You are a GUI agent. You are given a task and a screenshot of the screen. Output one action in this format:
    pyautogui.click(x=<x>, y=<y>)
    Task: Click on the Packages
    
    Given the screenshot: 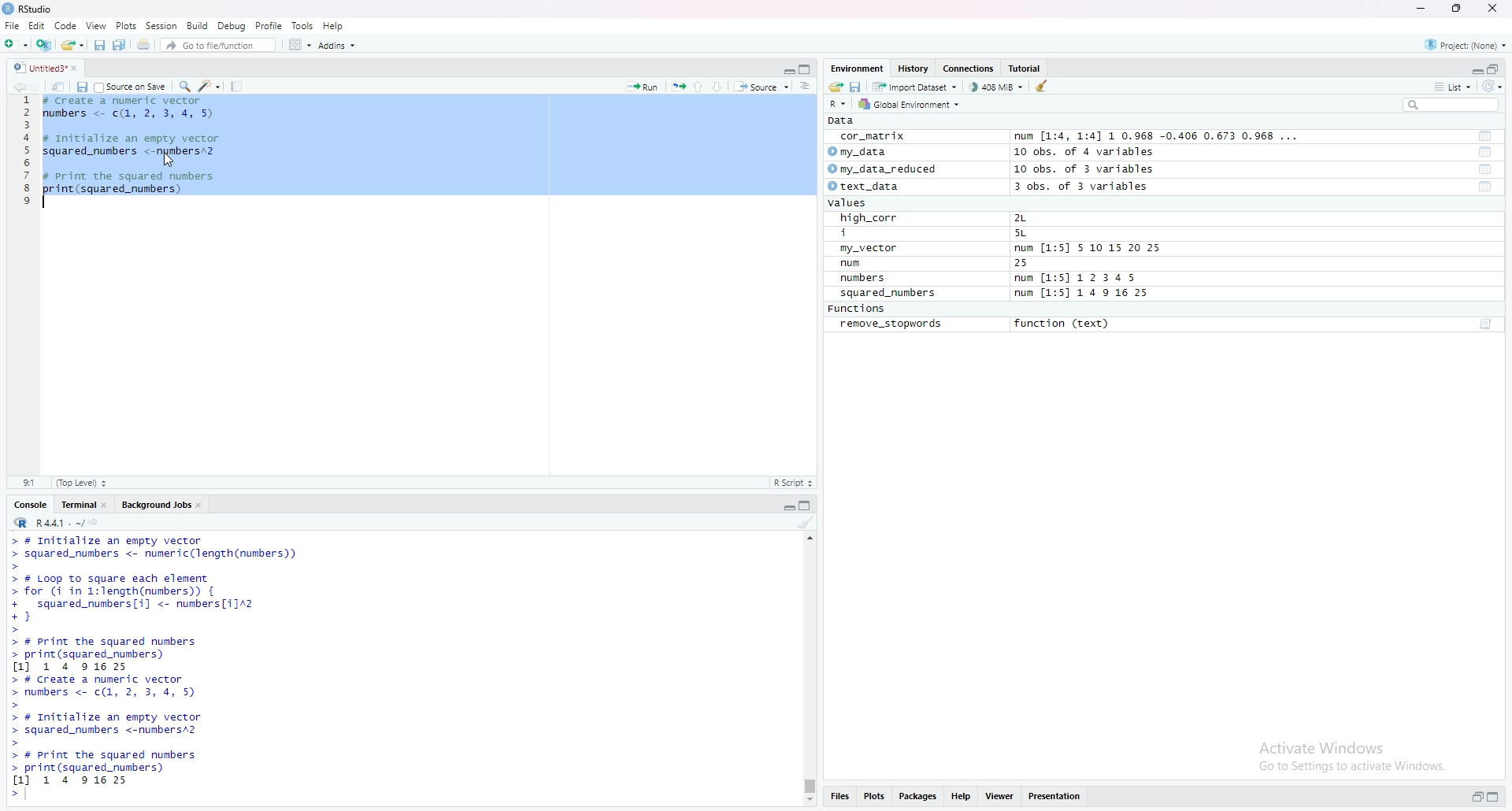 What is the action you would take?
    pyautogui.click(x=919, y=798)
    